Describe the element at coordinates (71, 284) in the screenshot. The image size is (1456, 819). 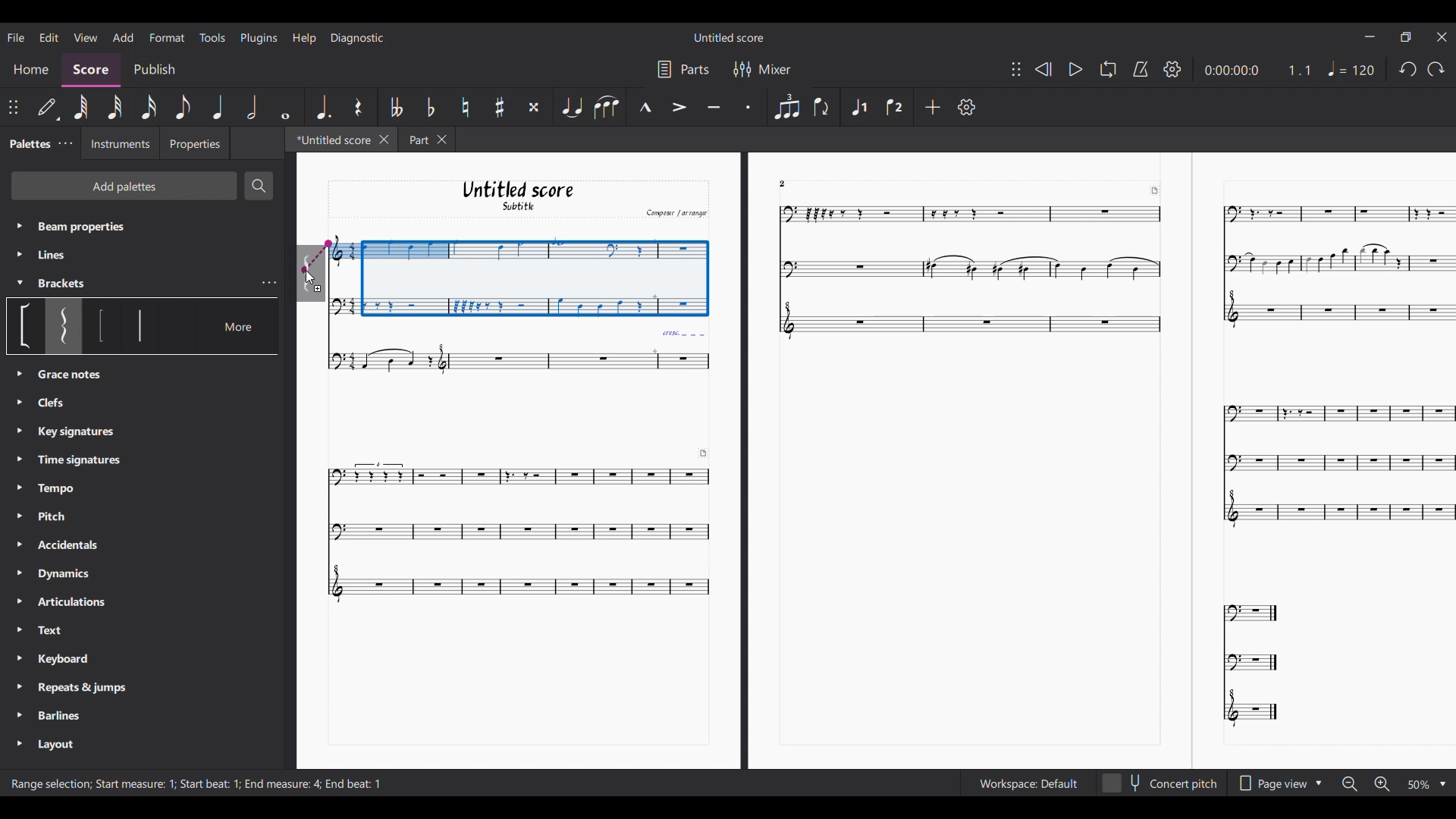
I see `Brackets` at that location.